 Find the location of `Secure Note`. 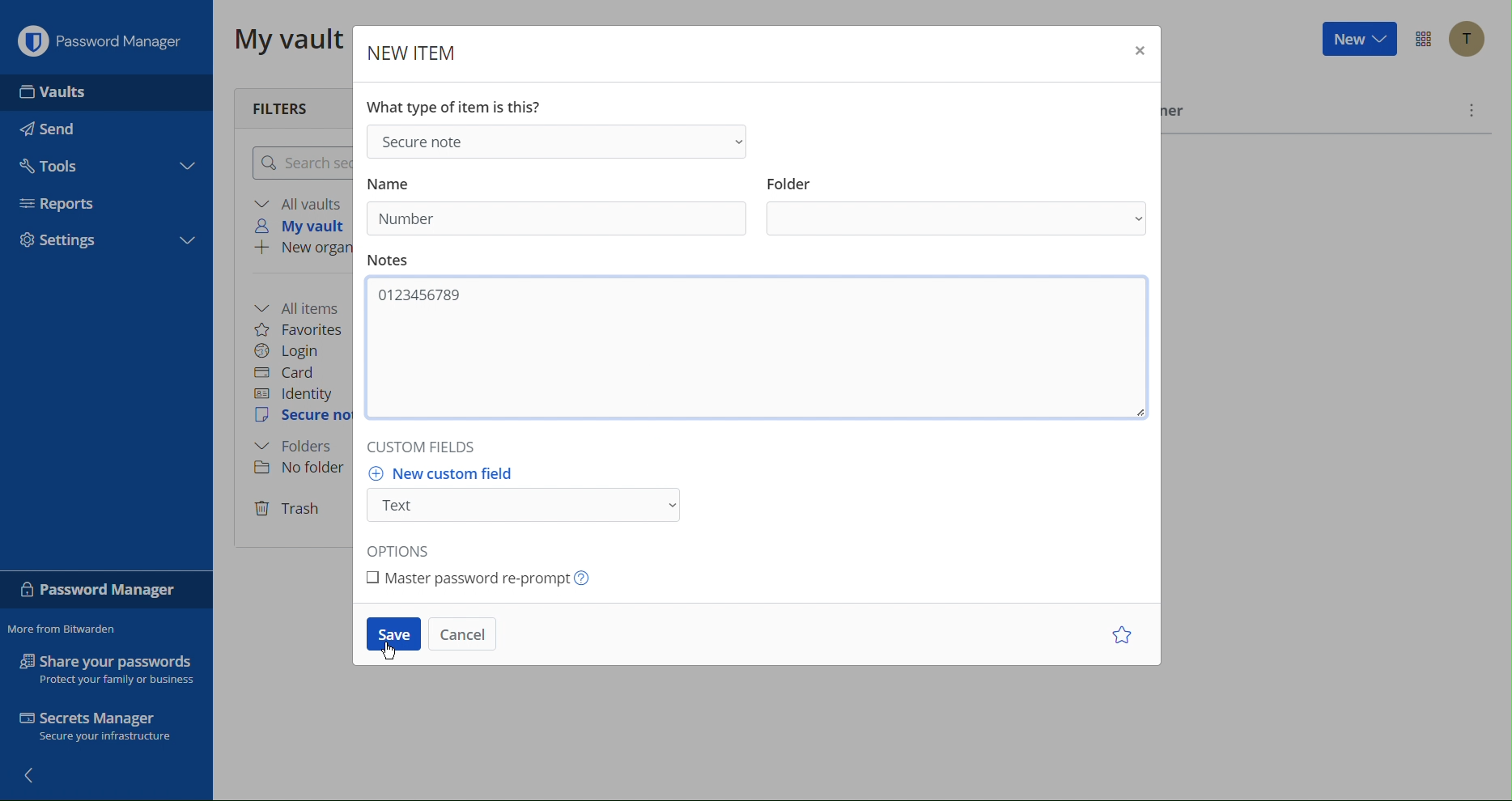

Secure Note is located at coordinates (301, 418).